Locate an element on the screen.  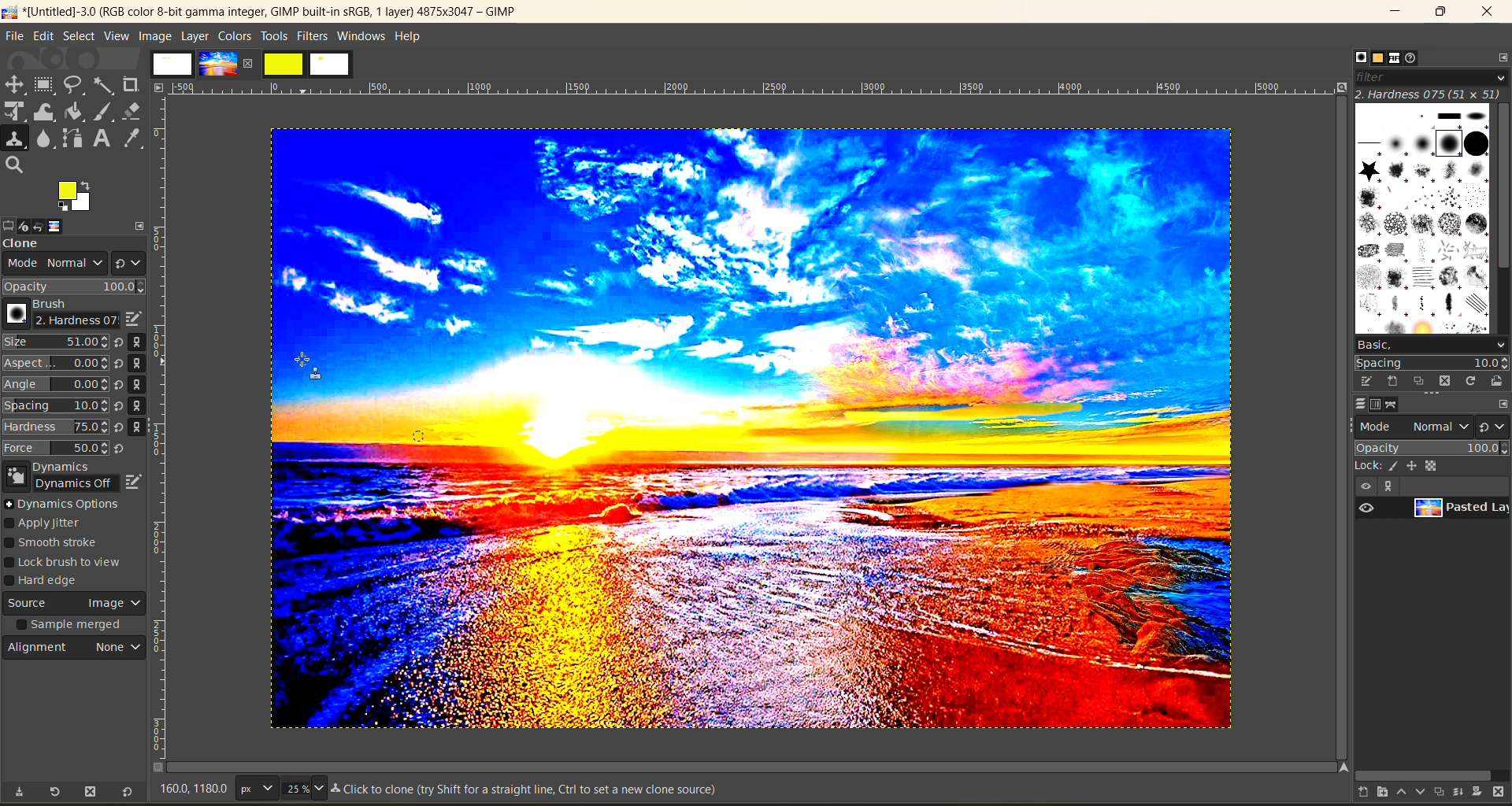
delete this brush is located at coordinates (1445, 380).